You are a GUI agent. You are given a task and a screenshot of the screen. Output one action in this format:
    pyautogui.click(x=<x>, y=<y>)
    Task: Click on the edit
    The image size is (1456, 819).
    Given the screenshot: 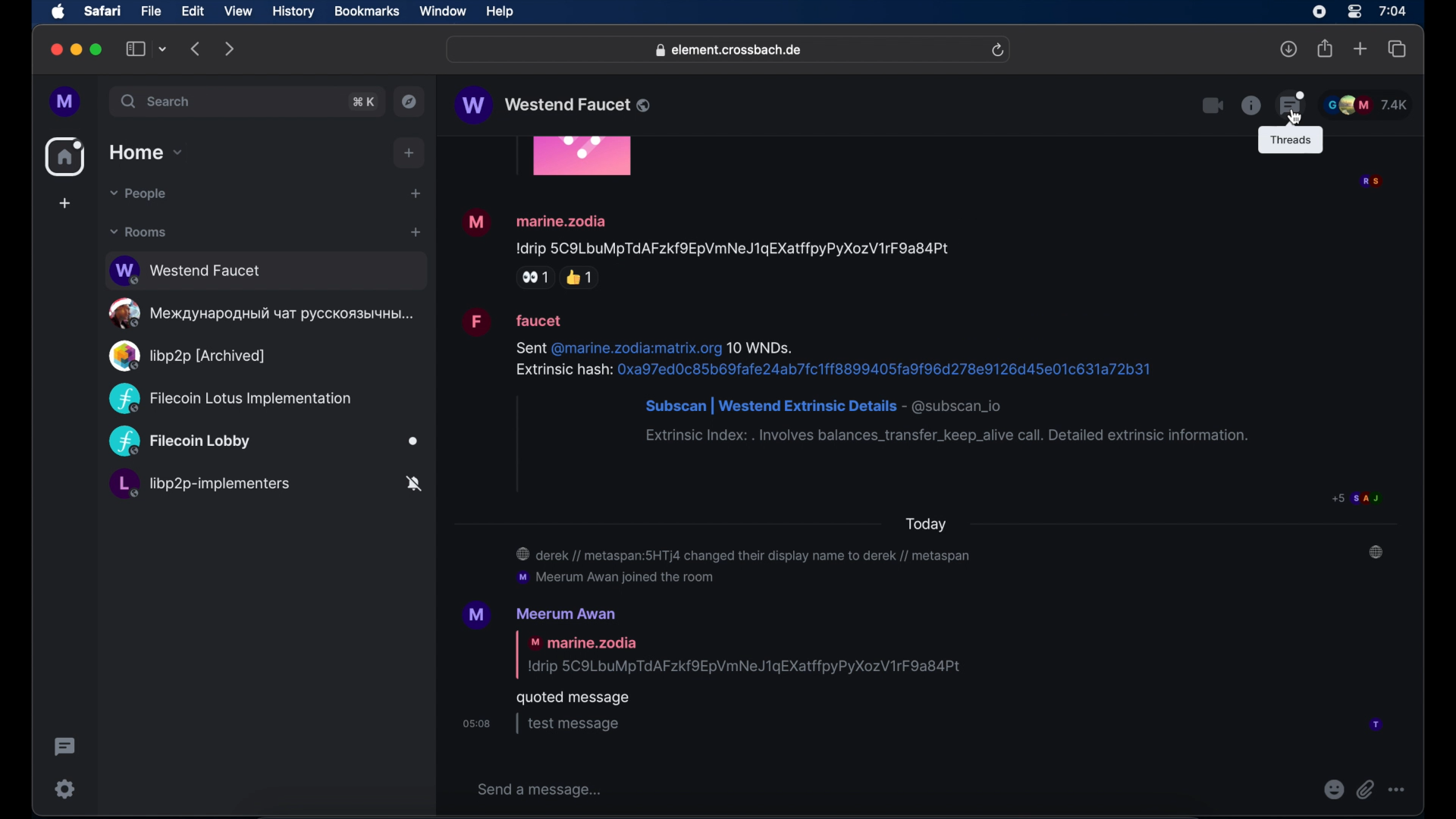 What is the action you would take?
    pyautogui.click(x=193, y=11)
    